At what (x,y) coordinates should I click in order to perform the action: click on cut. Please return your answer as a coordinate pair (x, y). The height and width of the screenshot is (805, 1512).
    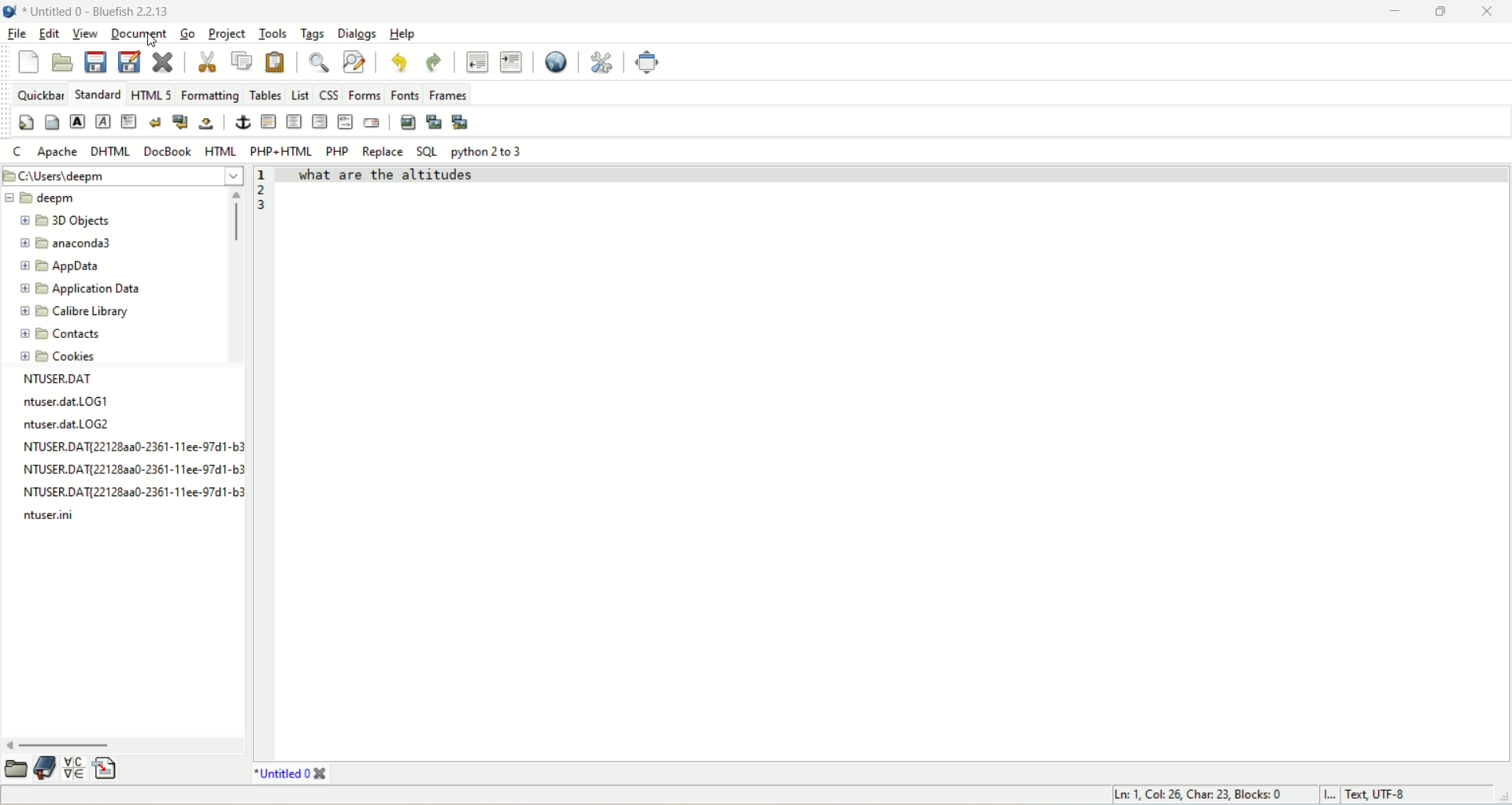
    Looking at the image, I should click on (209, 61).